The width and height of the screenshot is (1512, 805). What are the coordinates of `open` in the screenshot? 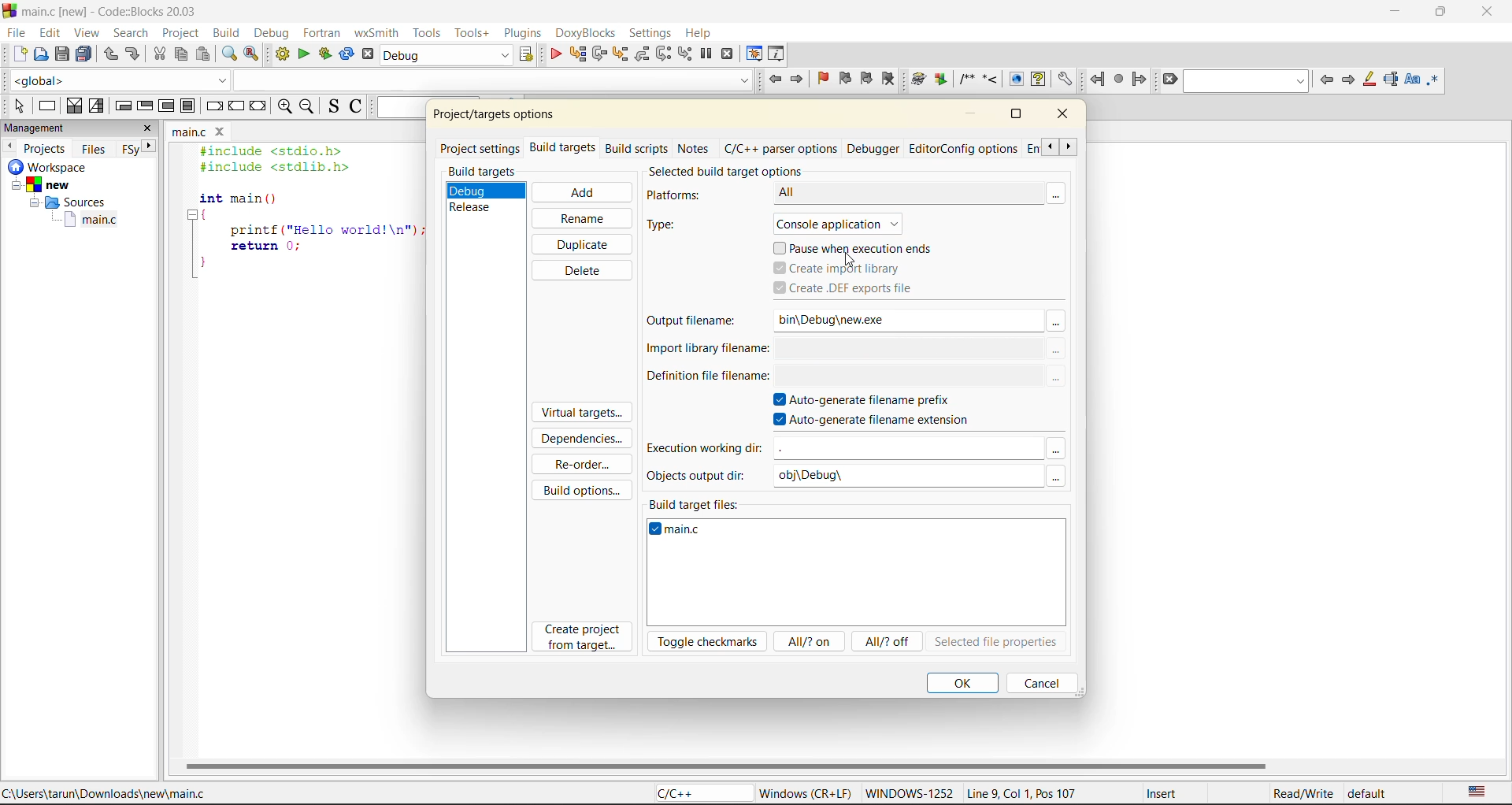 It's located at (42, 54).